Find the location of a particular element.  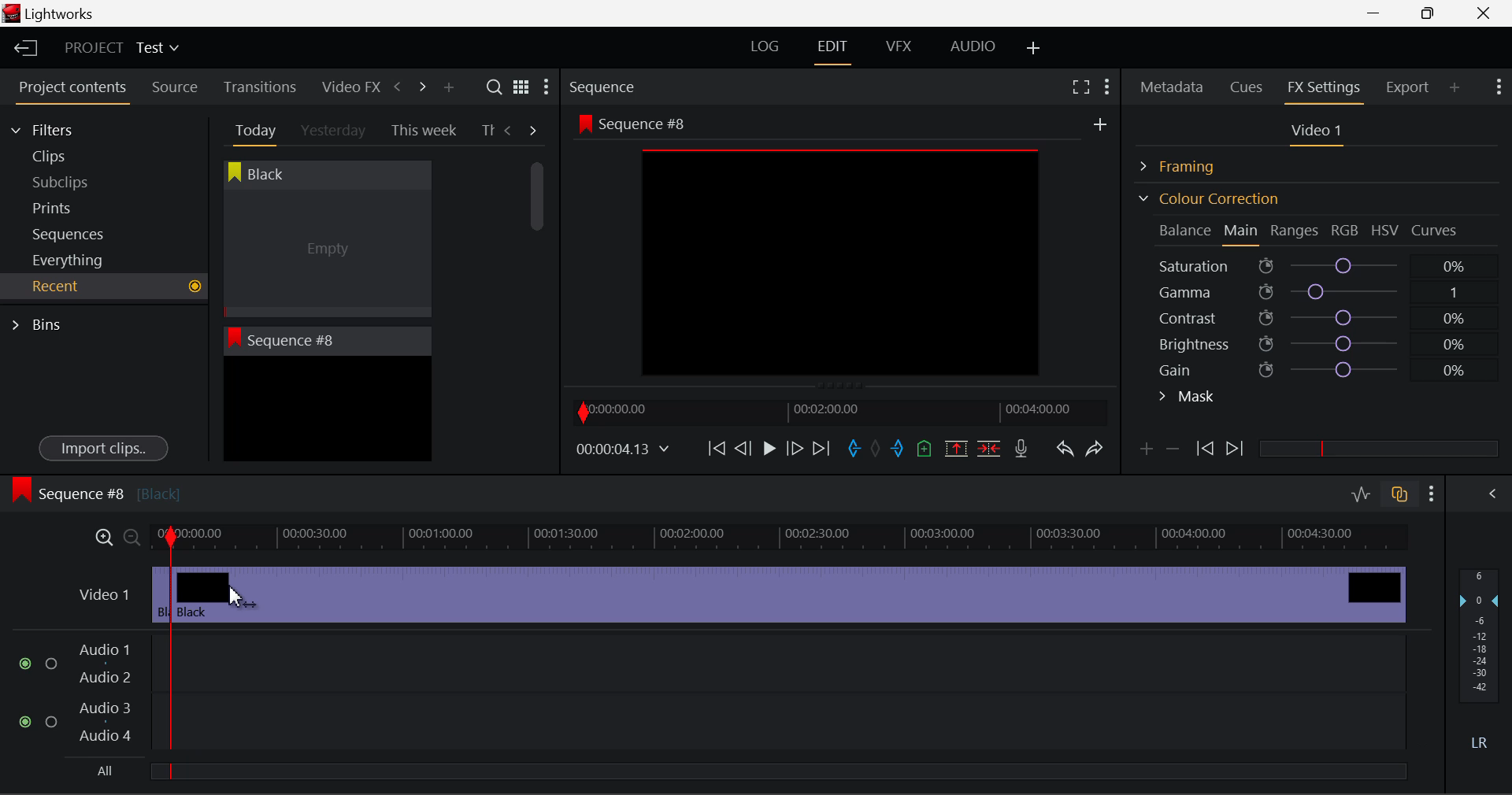

Remove marked section is located at coordinates (955, 447).